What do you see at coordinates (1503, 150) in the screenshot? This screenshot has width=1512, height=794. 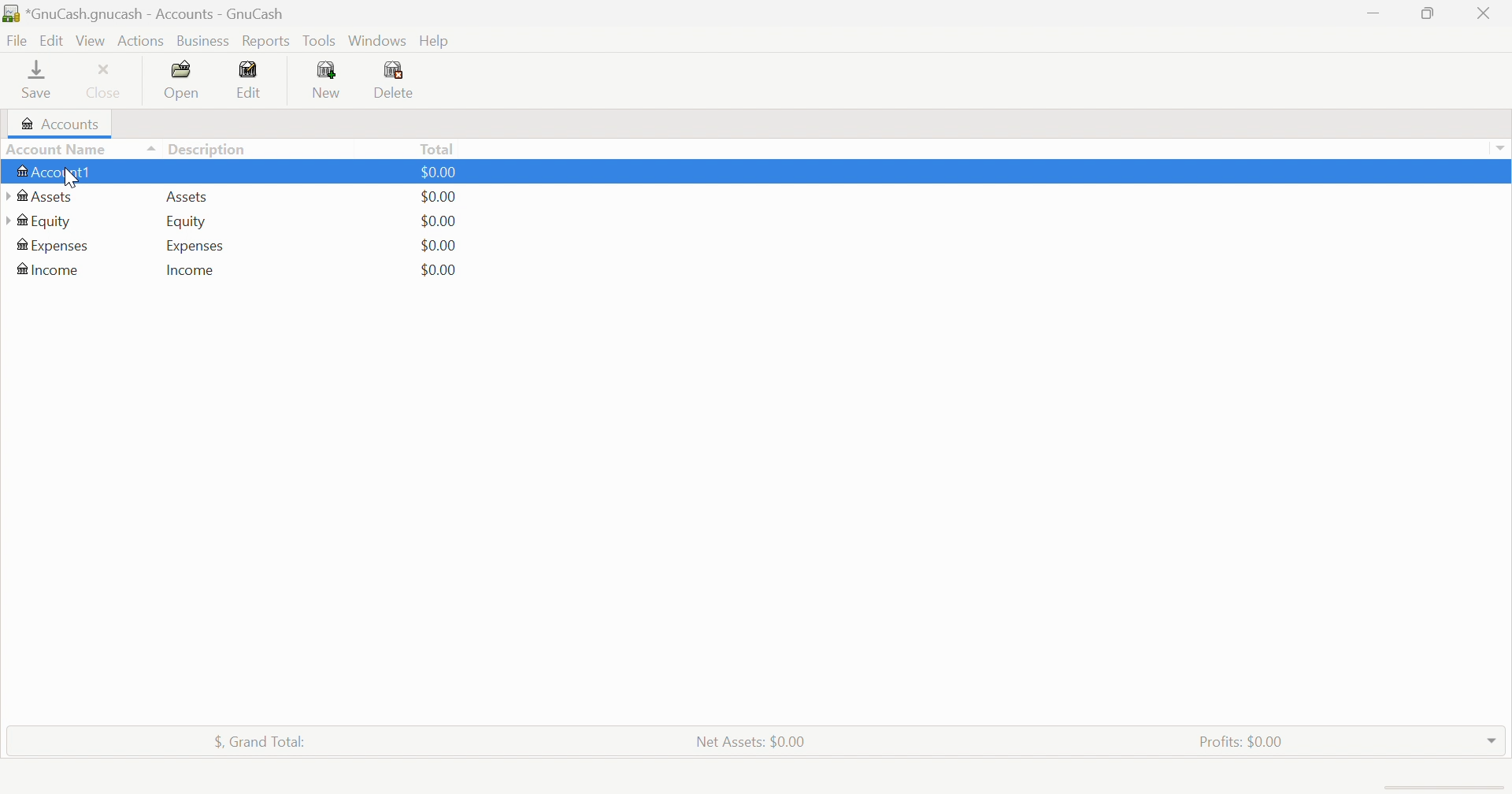 I see `Drop Down` at bounding box center [1503, 150].